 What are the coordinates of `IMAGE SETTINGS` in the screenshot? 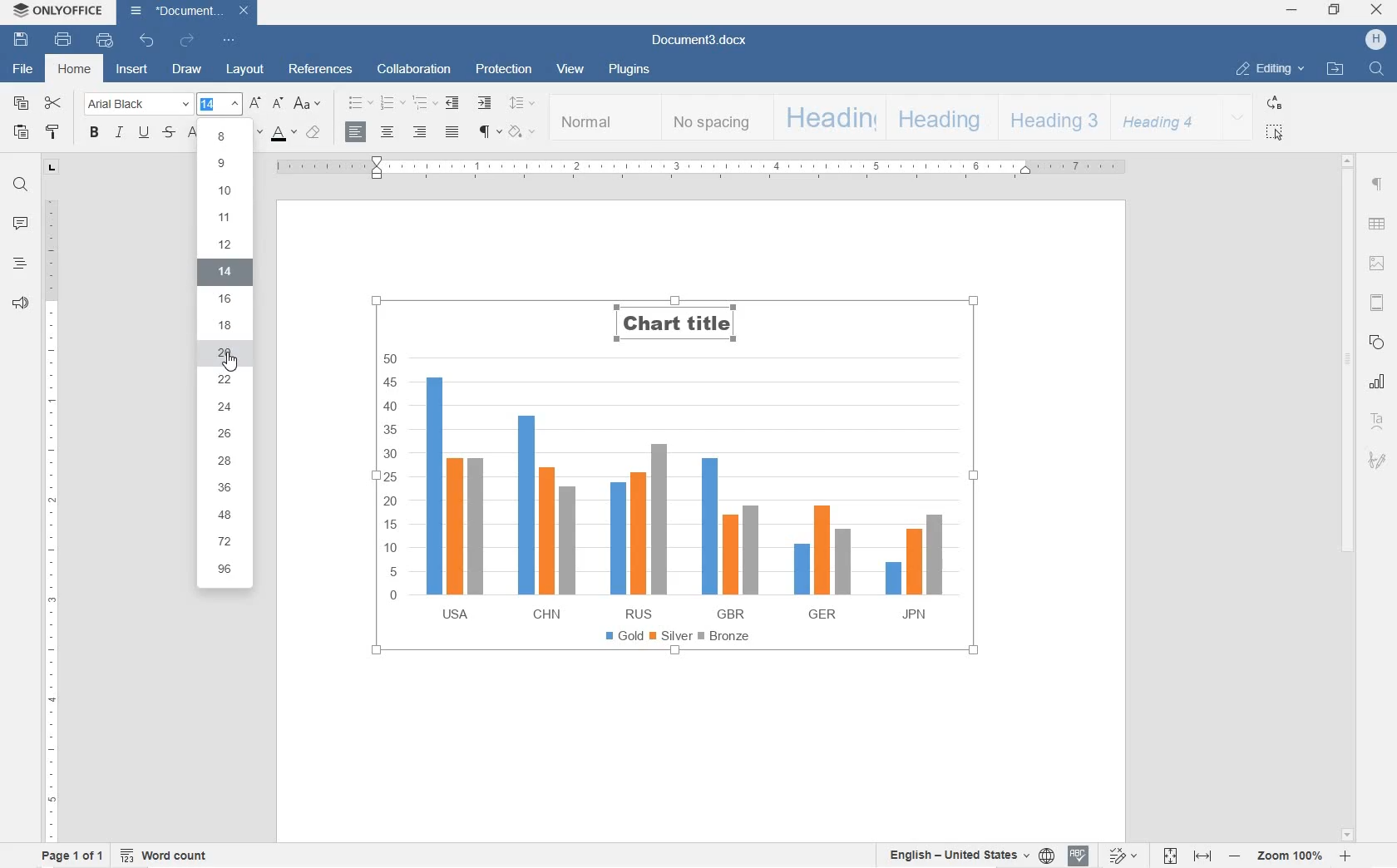 It's located at (1377, 262).